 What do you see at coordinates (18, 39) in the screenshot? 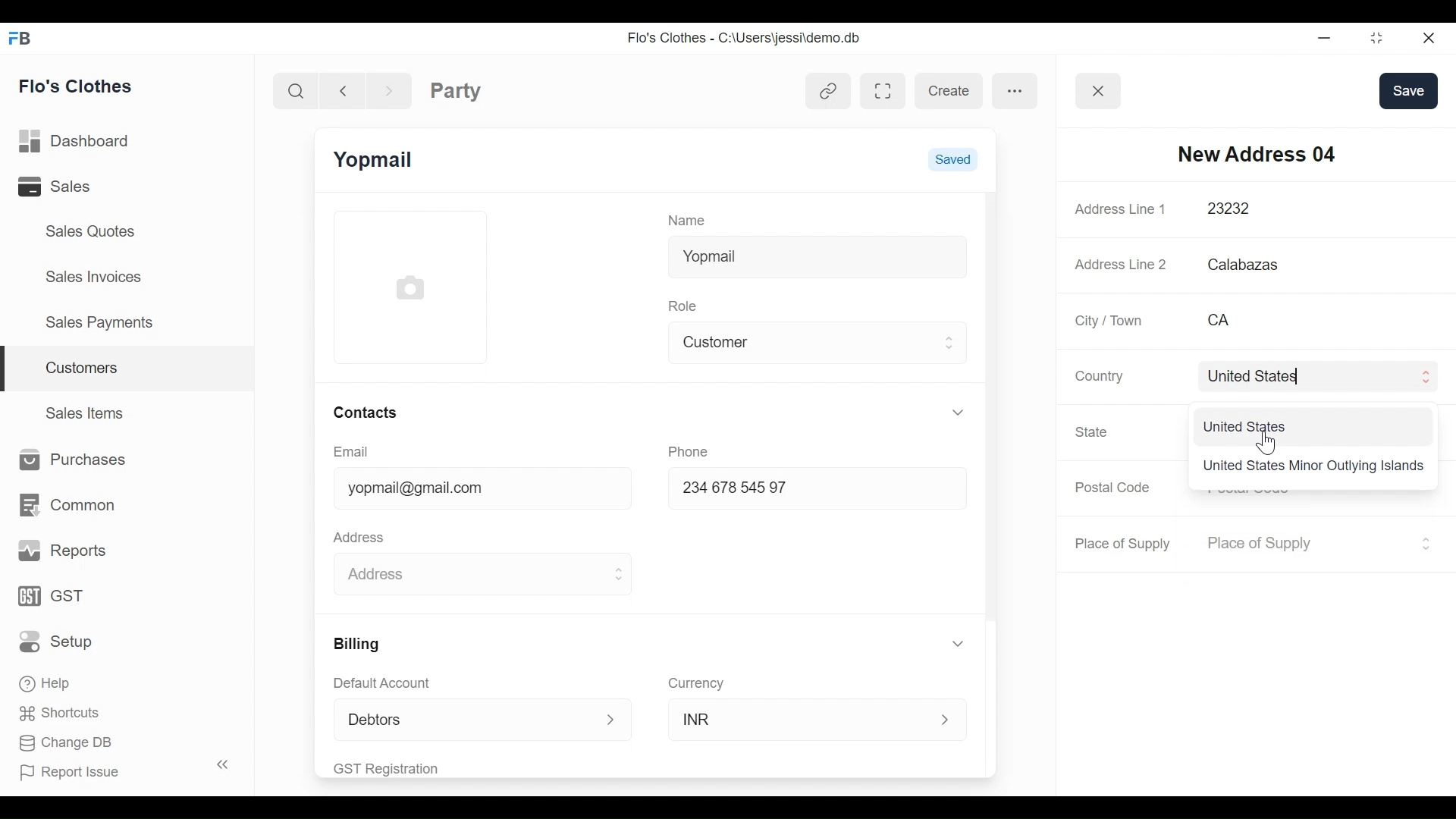
I see `Frappe Books Desktop Icon` at bounding box center [18, 39].